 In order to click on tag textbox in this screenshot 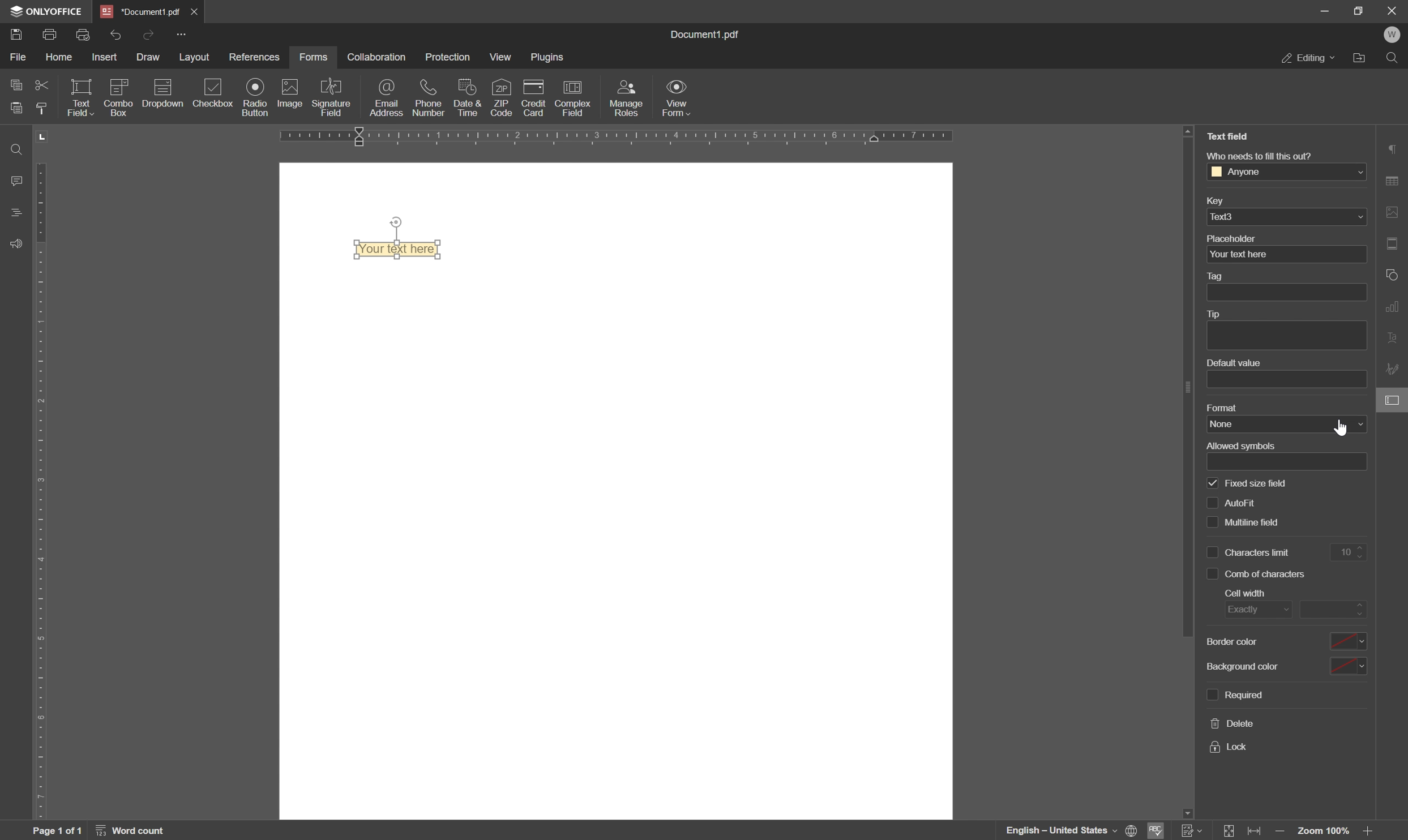, I will do `click(1291, 292)`.